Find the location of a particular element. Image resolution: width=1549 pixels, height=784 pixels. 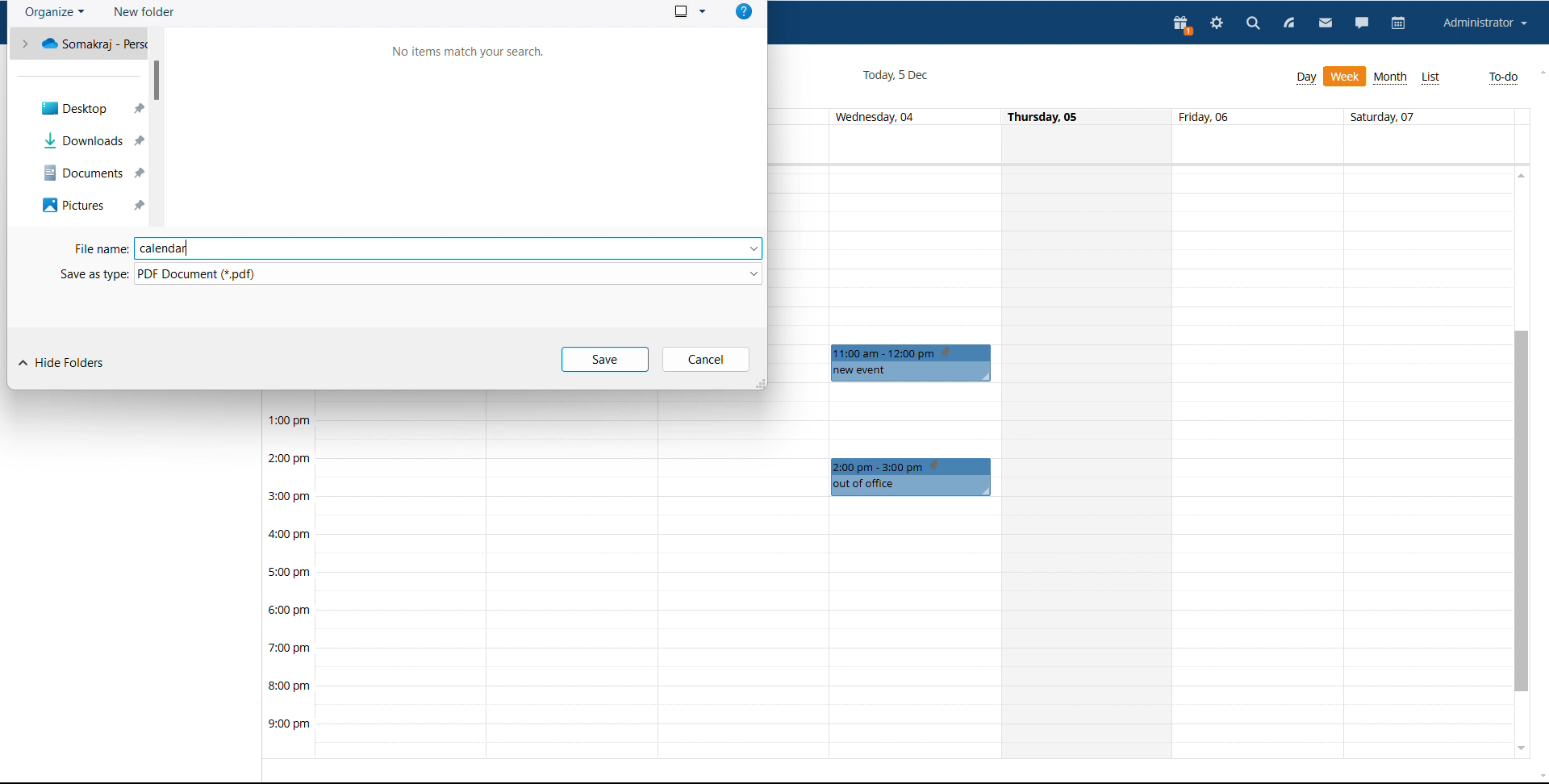

hide folders is located at coordinates (61, 364).